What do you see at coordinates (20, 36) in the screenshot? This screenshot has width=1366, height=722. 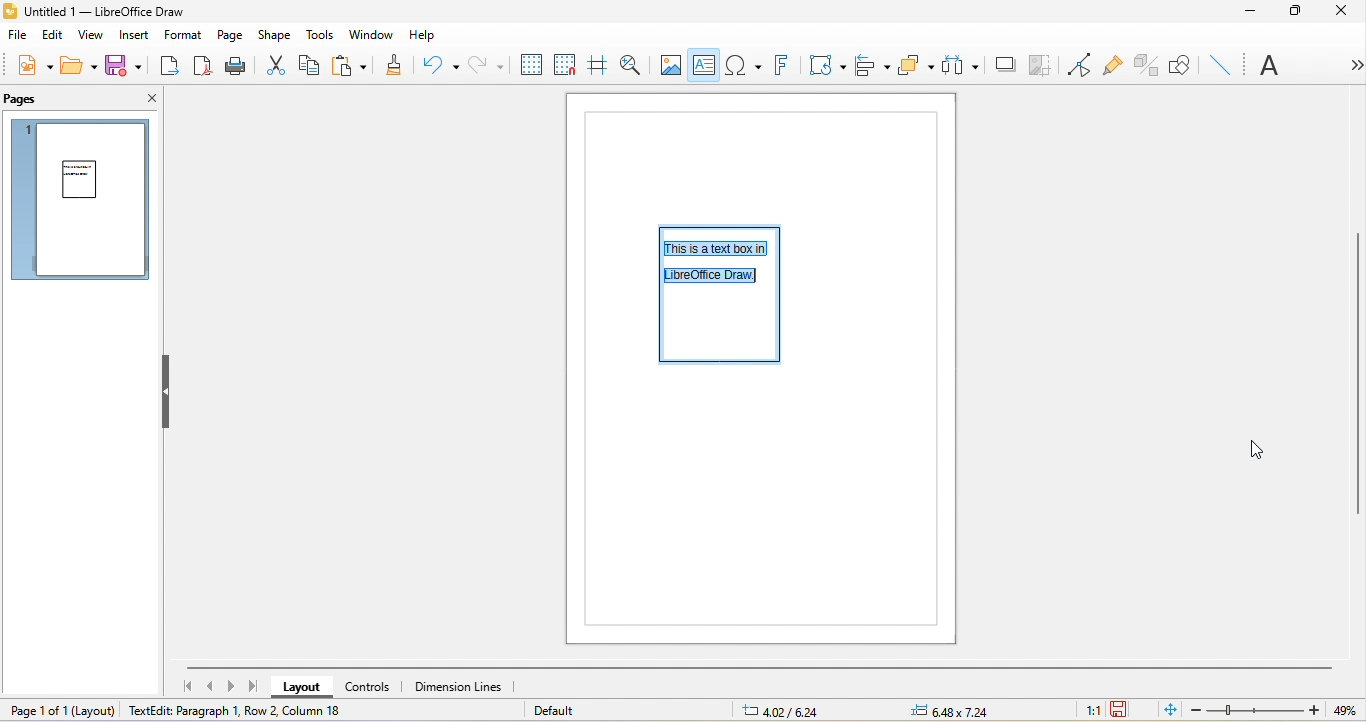 I see `file` at bounding box center [20, 36].